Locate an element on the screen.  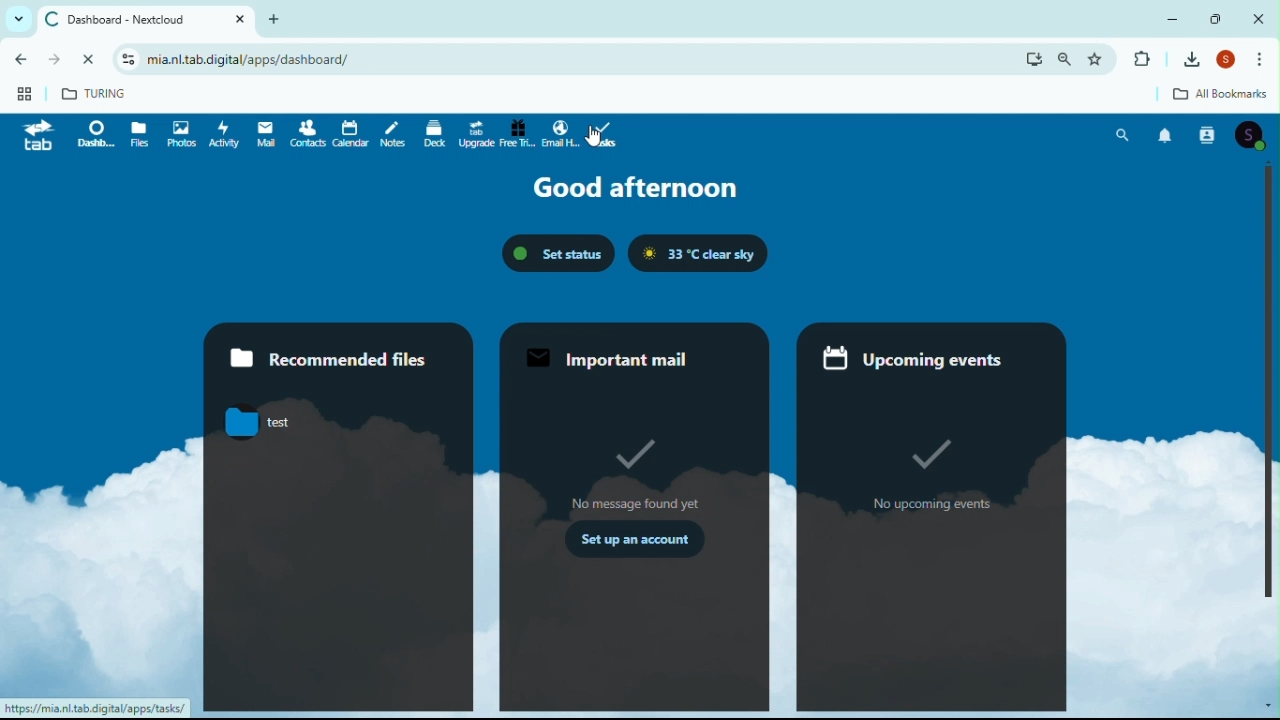
Activity is located at coordinates (223, 136).